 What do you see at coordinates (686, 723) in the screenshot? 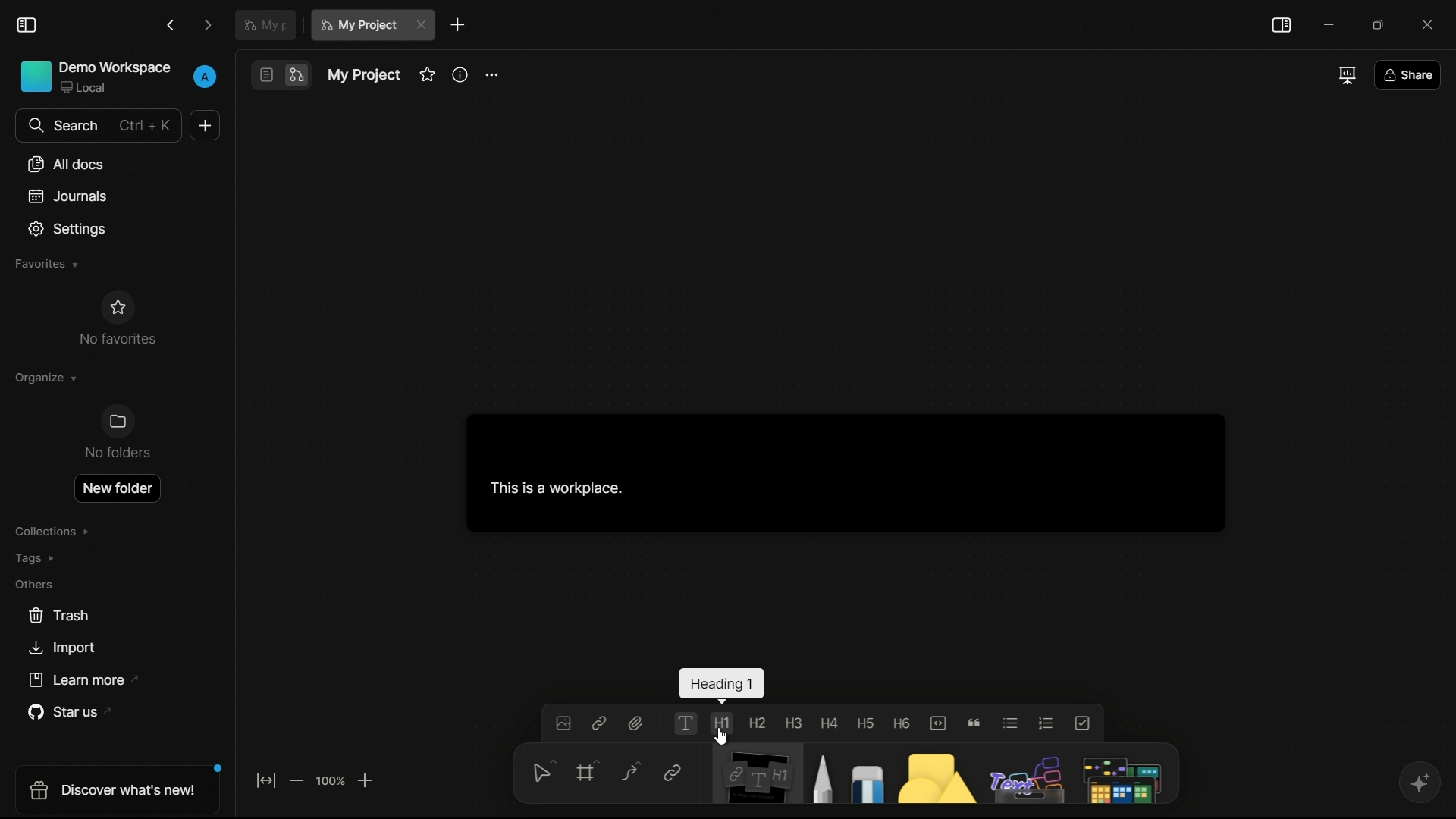
I see `text` at bounding box center [686, 723].